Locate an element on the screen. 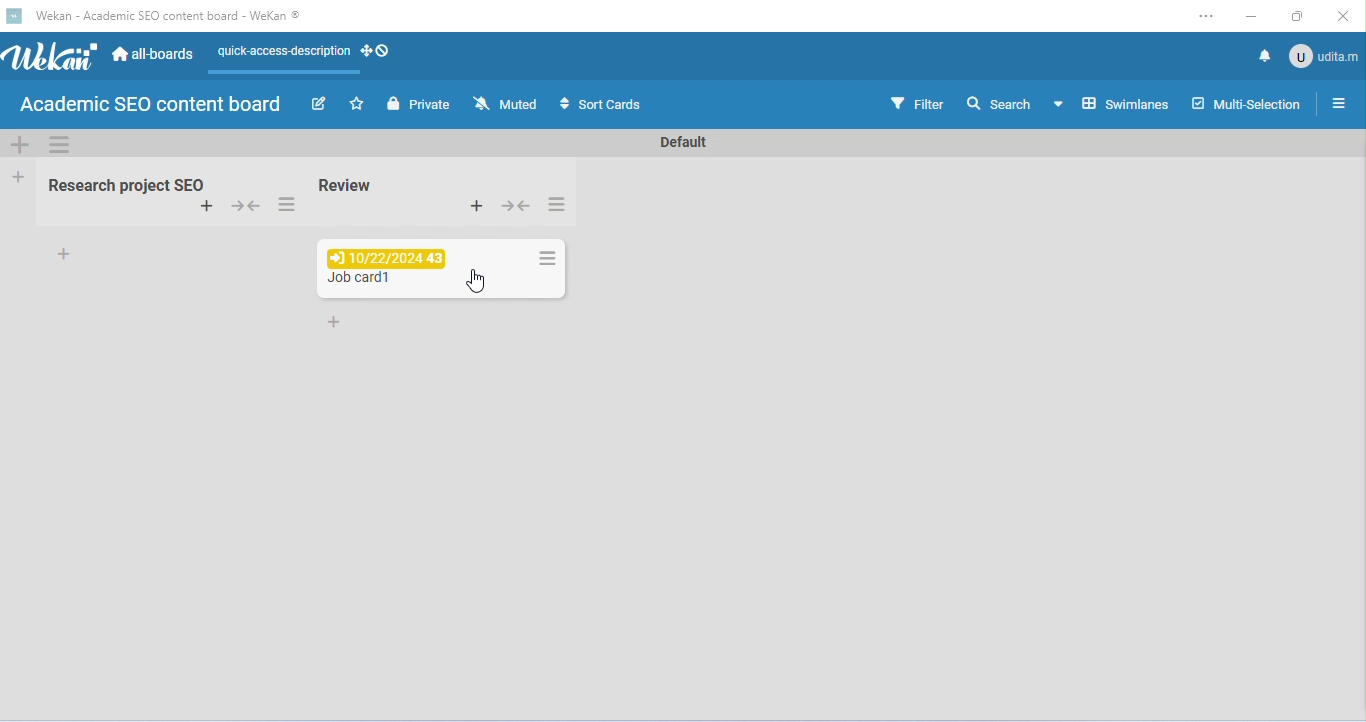 Image resolution: width=1366 pixels, height=722 pixels. add card to top of list is located at coordinates (207, 207).